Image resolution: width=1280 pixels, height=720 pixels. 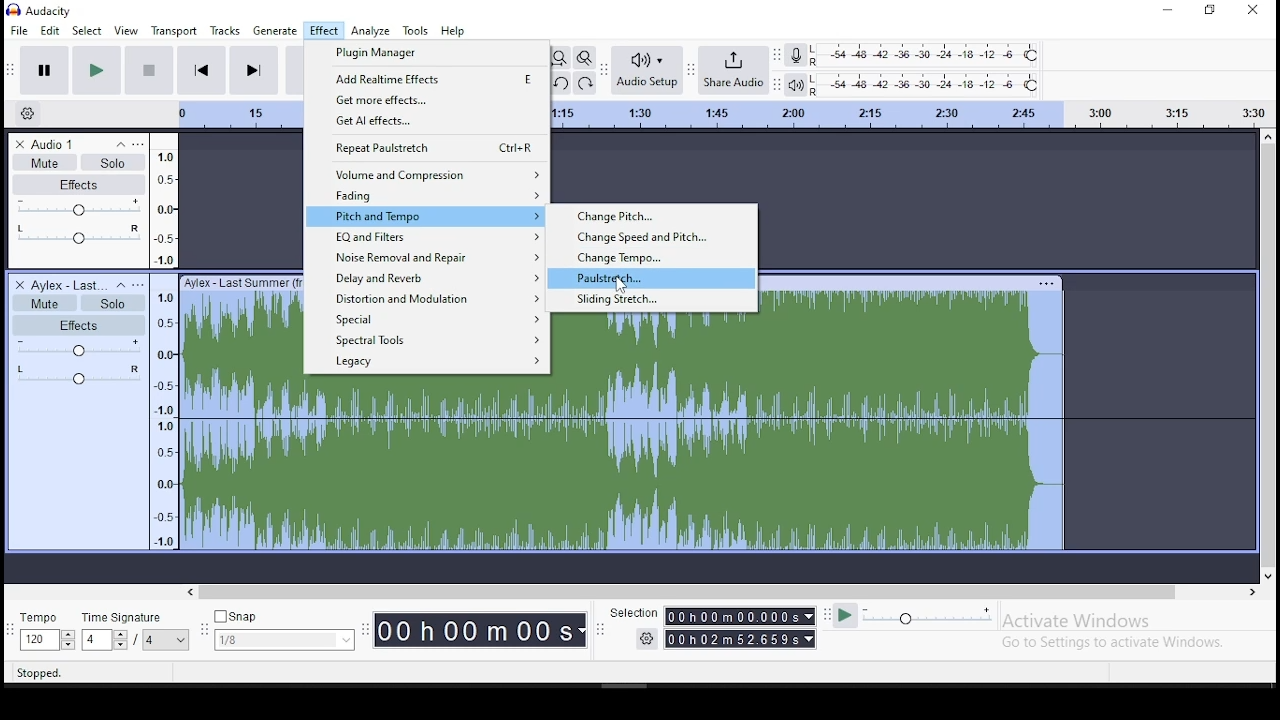 What do you see at coordinates (652, 278) in the screenshot?
I see `paulstretch` at bounding box center [652, 278].